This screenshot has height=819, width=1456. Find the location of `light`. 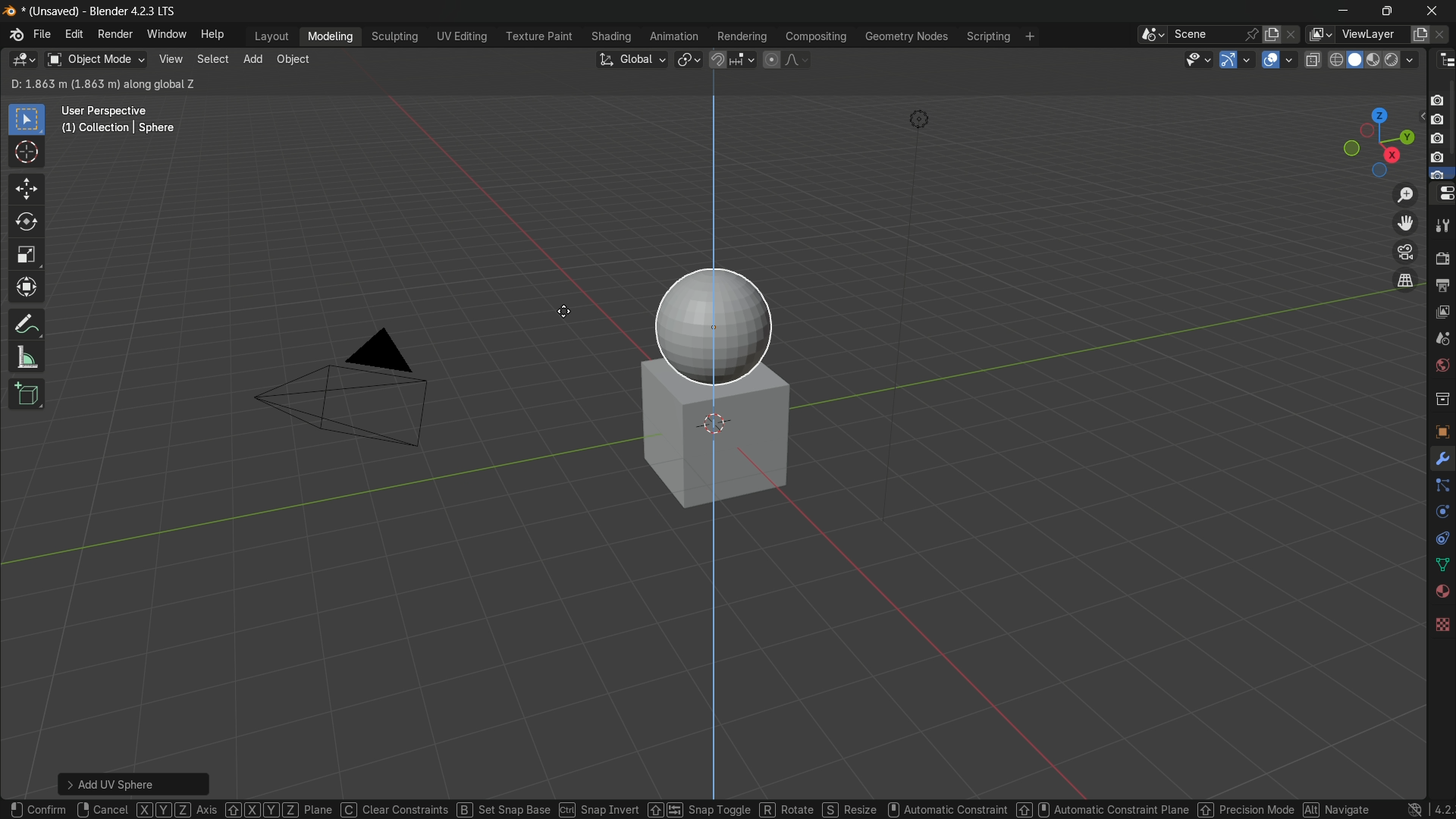

light is located at coordinates (923, 118).